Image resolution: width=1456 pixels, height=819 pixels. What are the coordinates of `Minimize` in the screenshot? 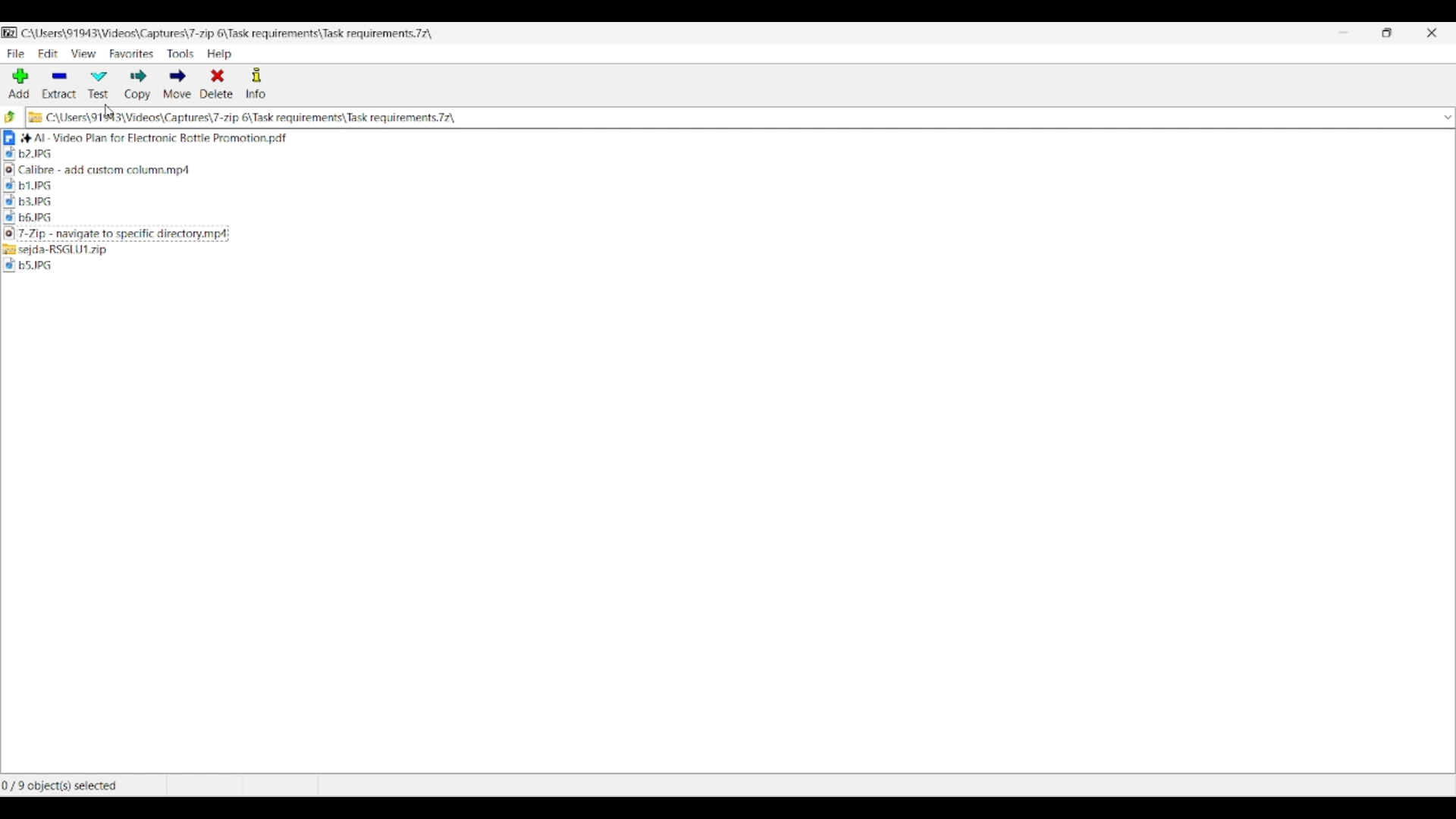 It's located at (1343, 33).